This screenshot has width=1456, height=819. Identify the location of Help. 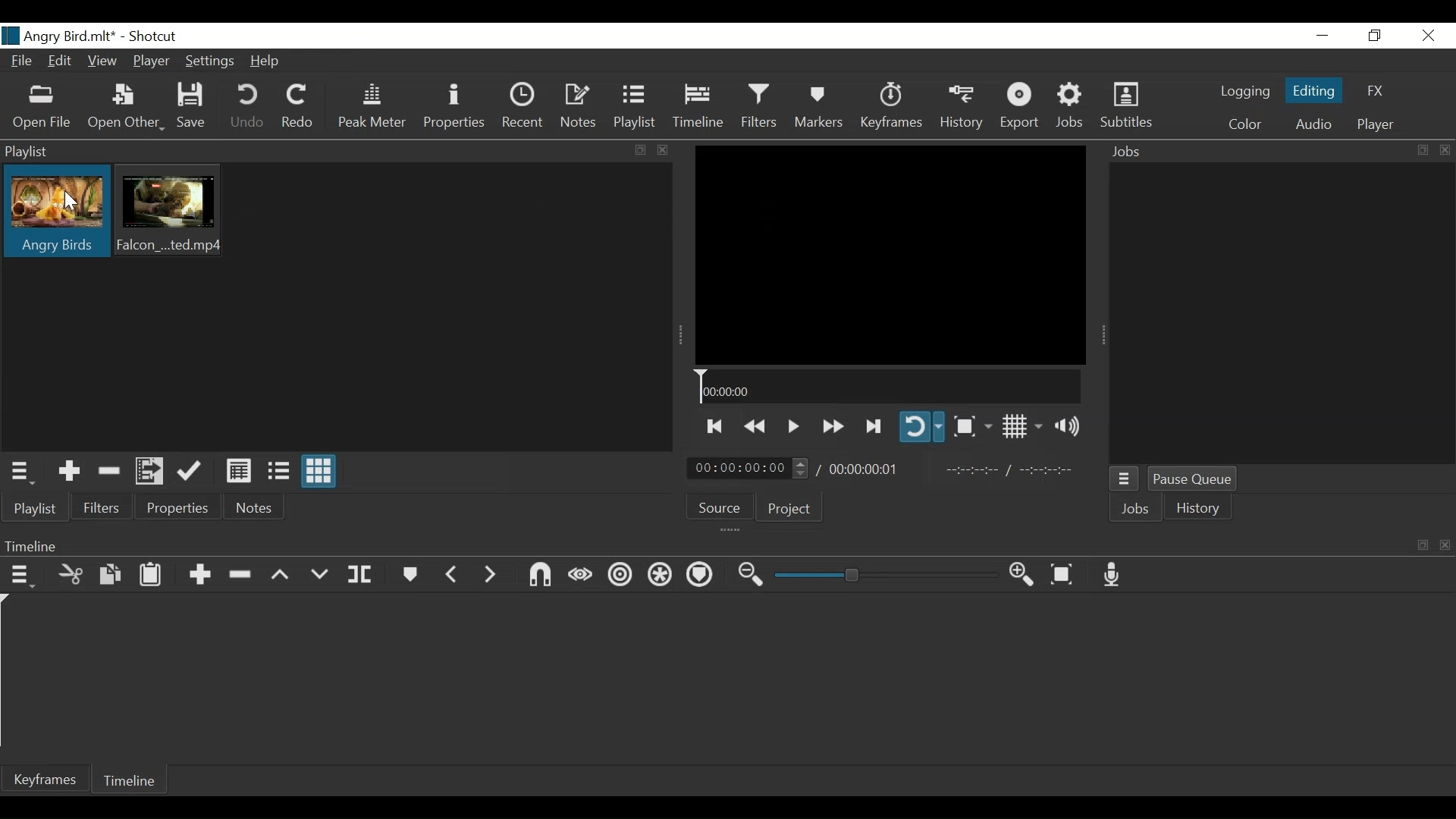
(268, 60).